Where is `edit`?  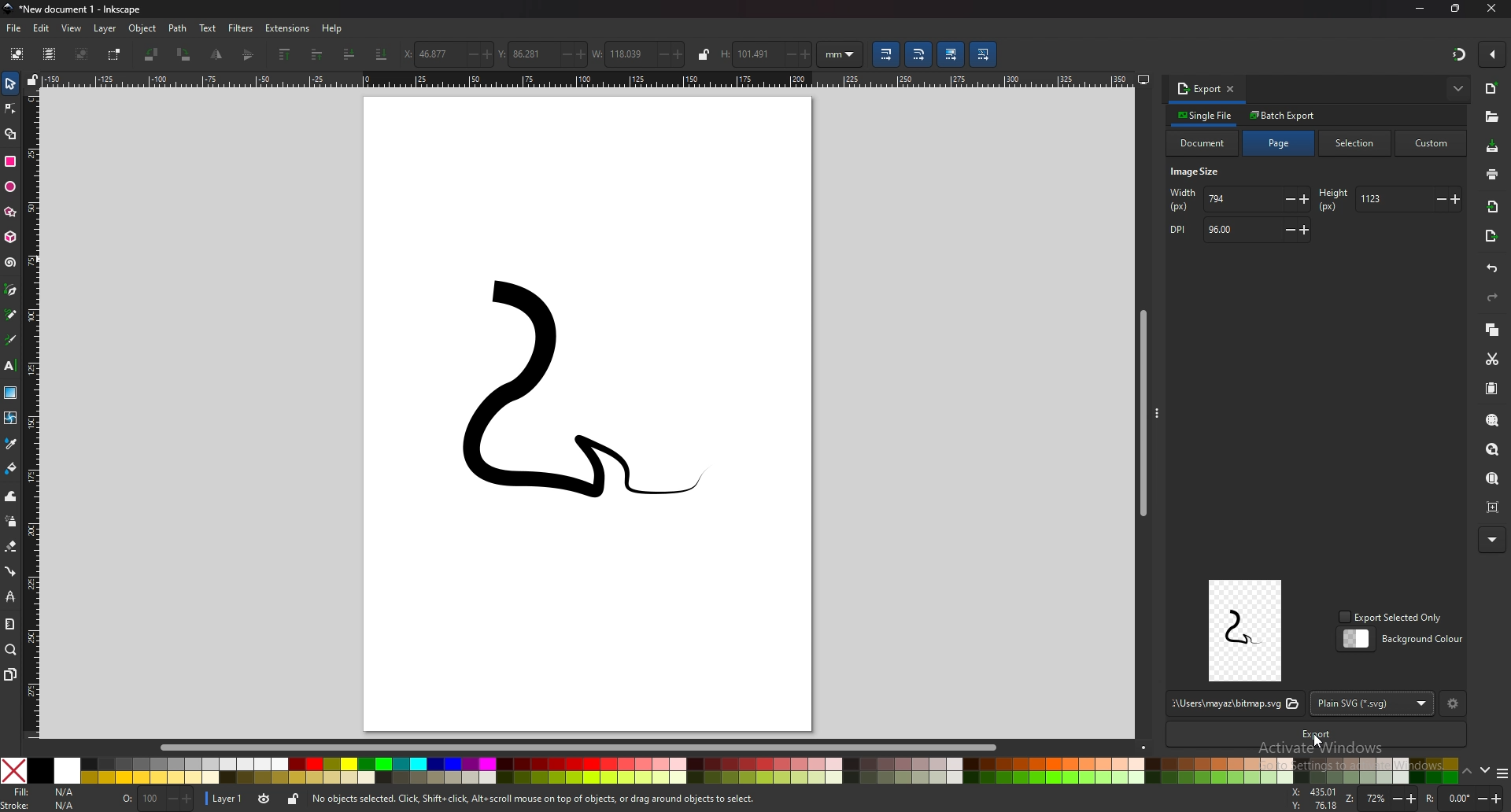
edit is located at coordinates (42, 28).